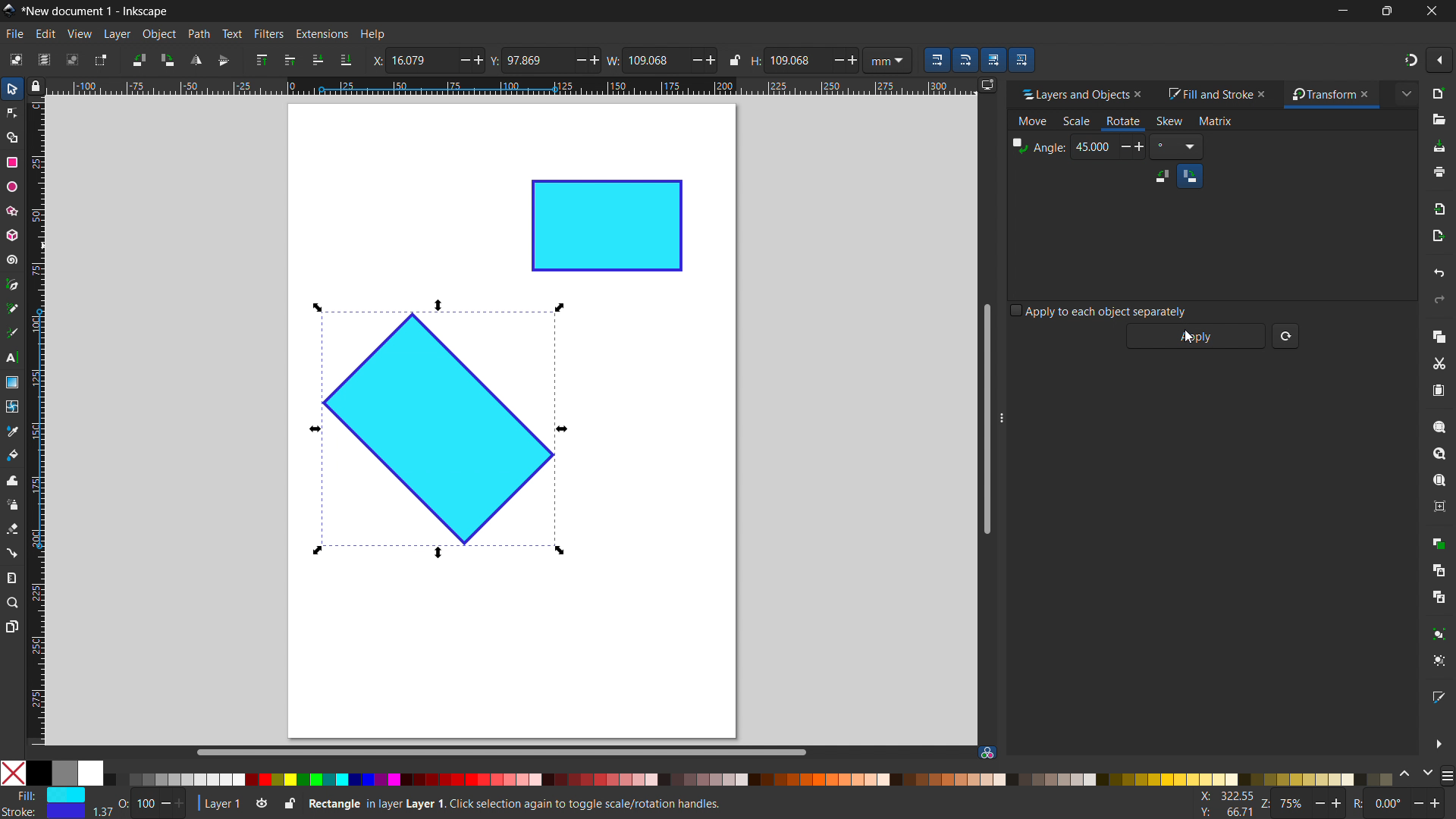 The width and height of the screenshot is (1456, 819). I want to click on tweak tool, so click(12, 480).